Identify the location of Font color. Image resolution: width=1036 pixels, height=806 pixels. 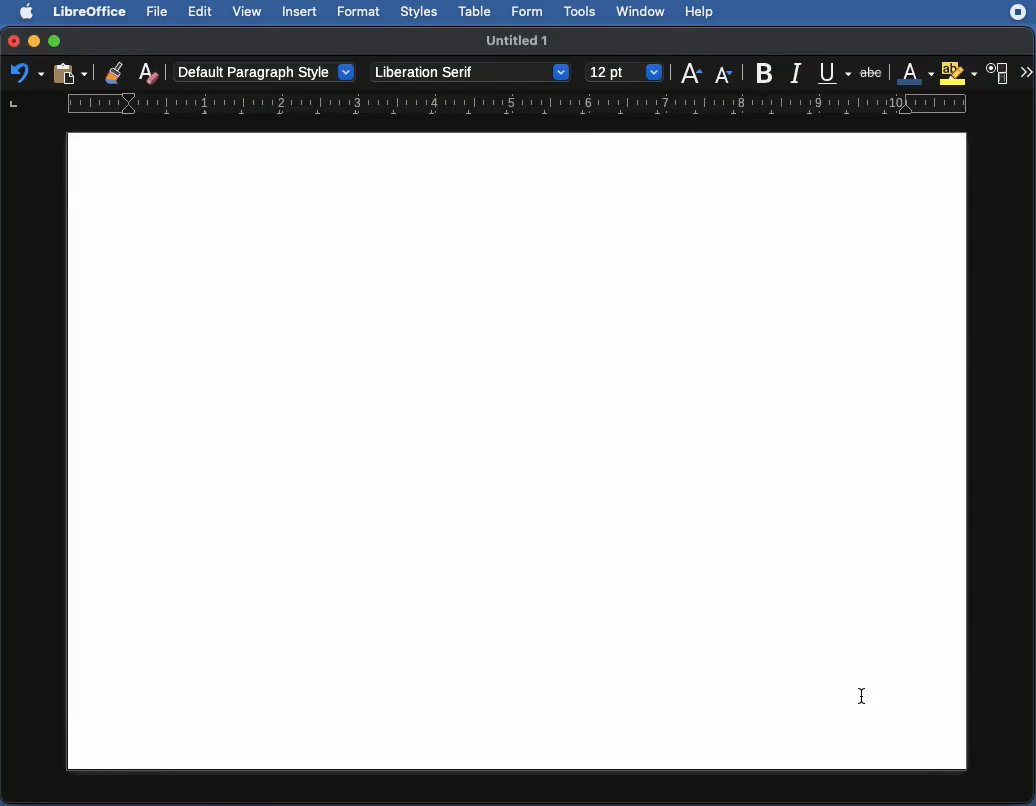
(914, 70).